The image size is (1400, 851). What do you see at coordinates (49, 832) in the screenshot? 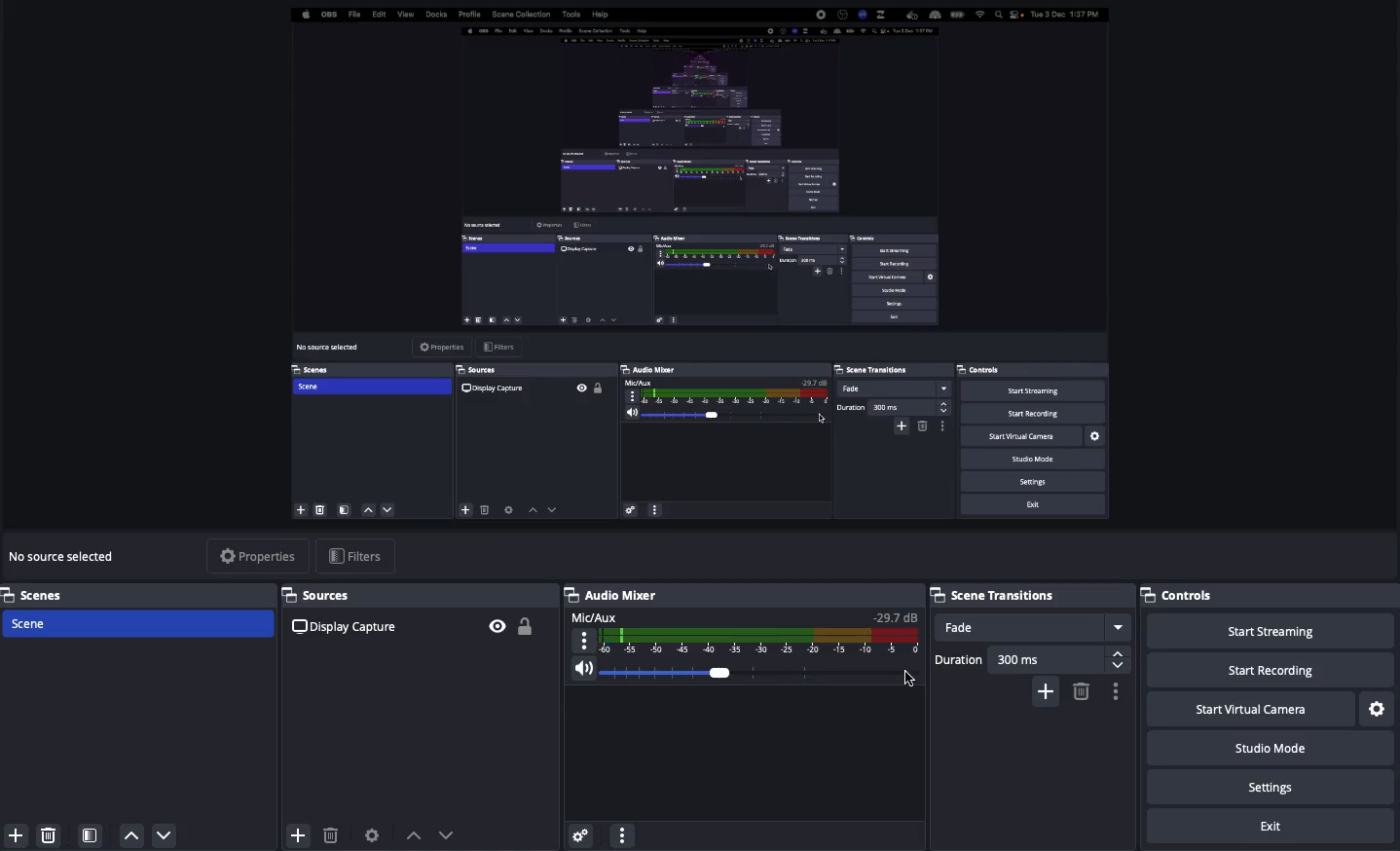
I see `Delete` at bounding box center [49, 832].